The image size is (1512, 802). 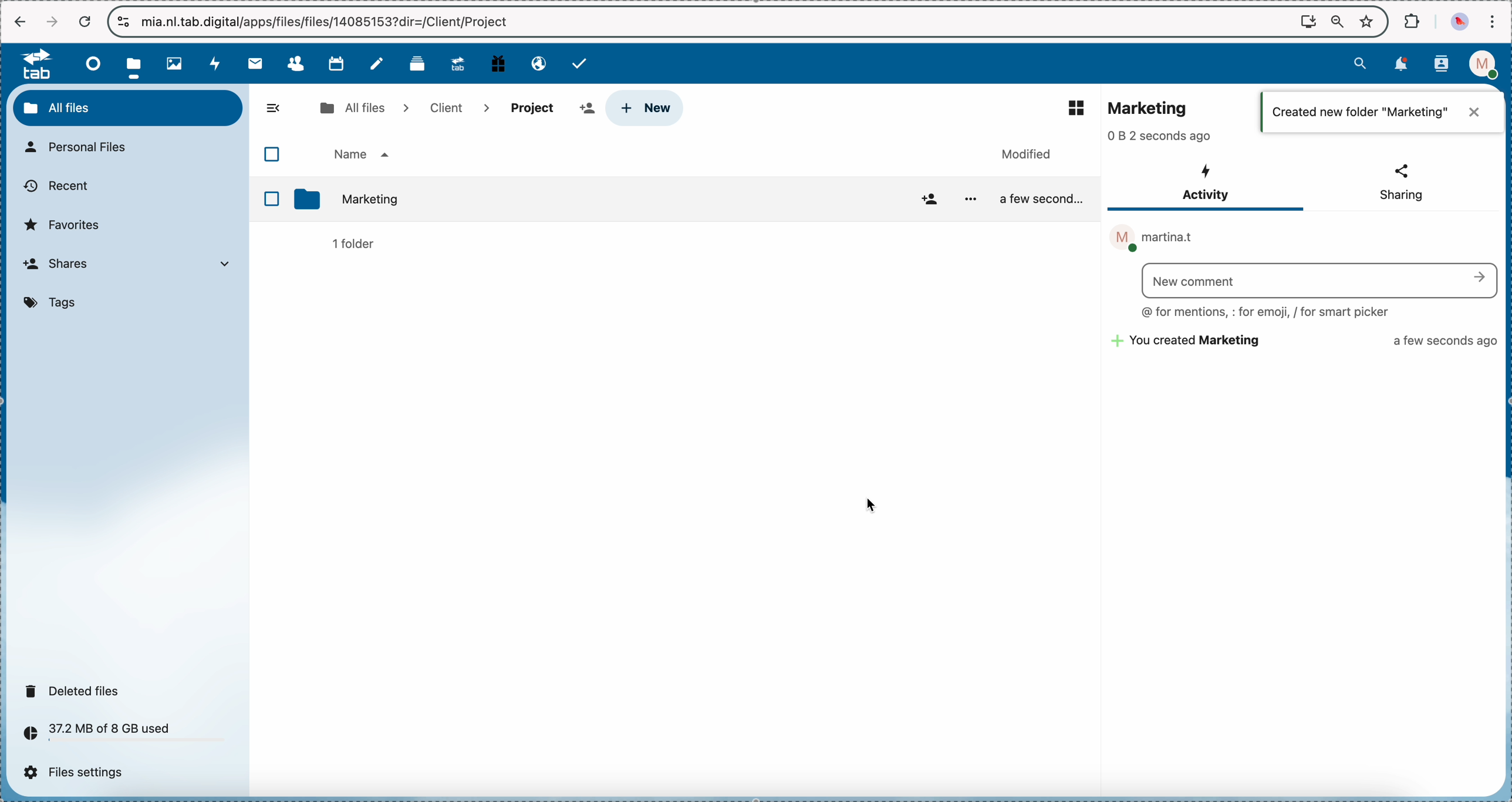 I want to click on new comment, so click(x=1322, y=281).